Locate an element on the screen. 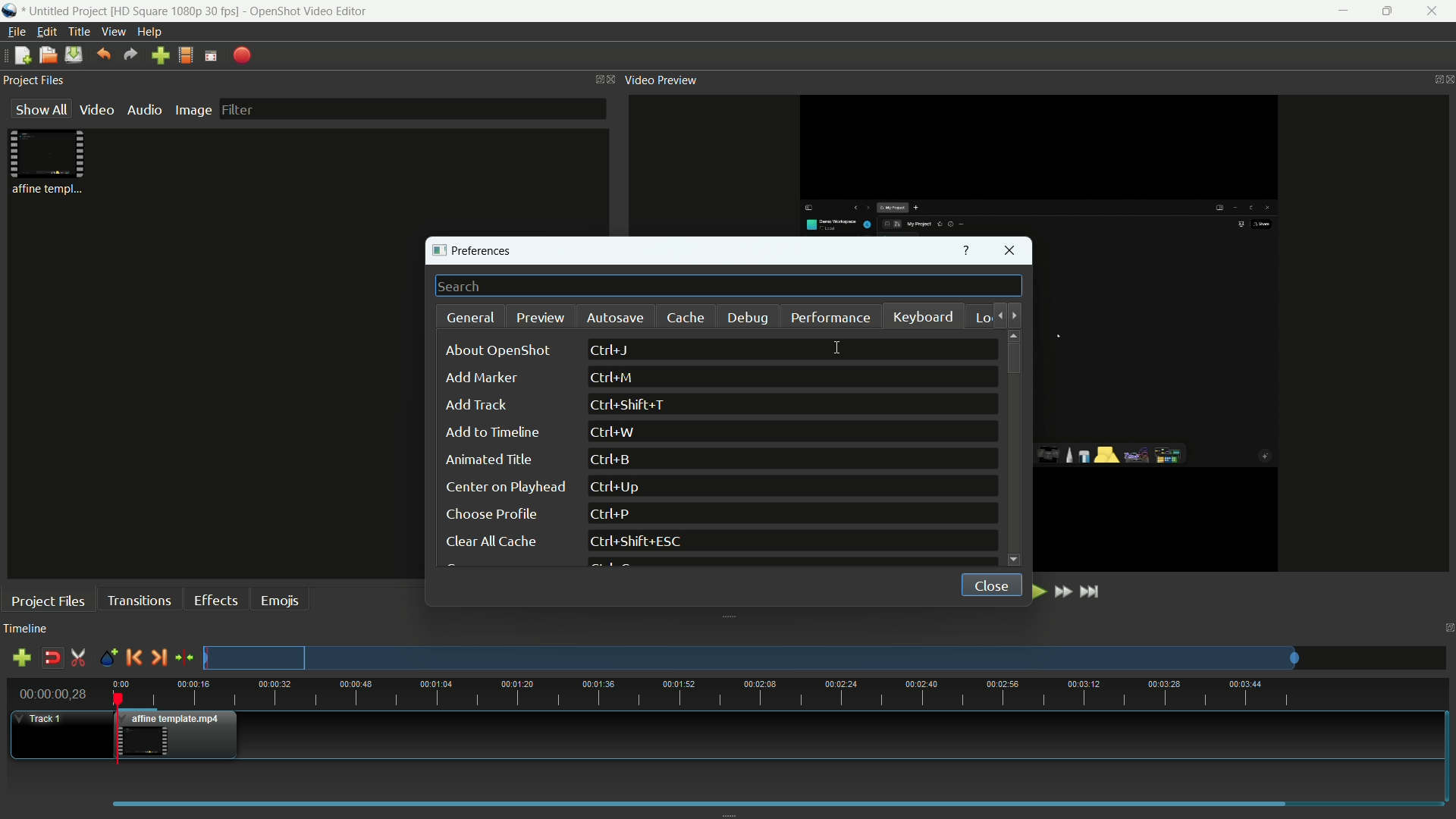 This screenshot has height=819, width=1456. edit menu is located at coordinates (47, 32).